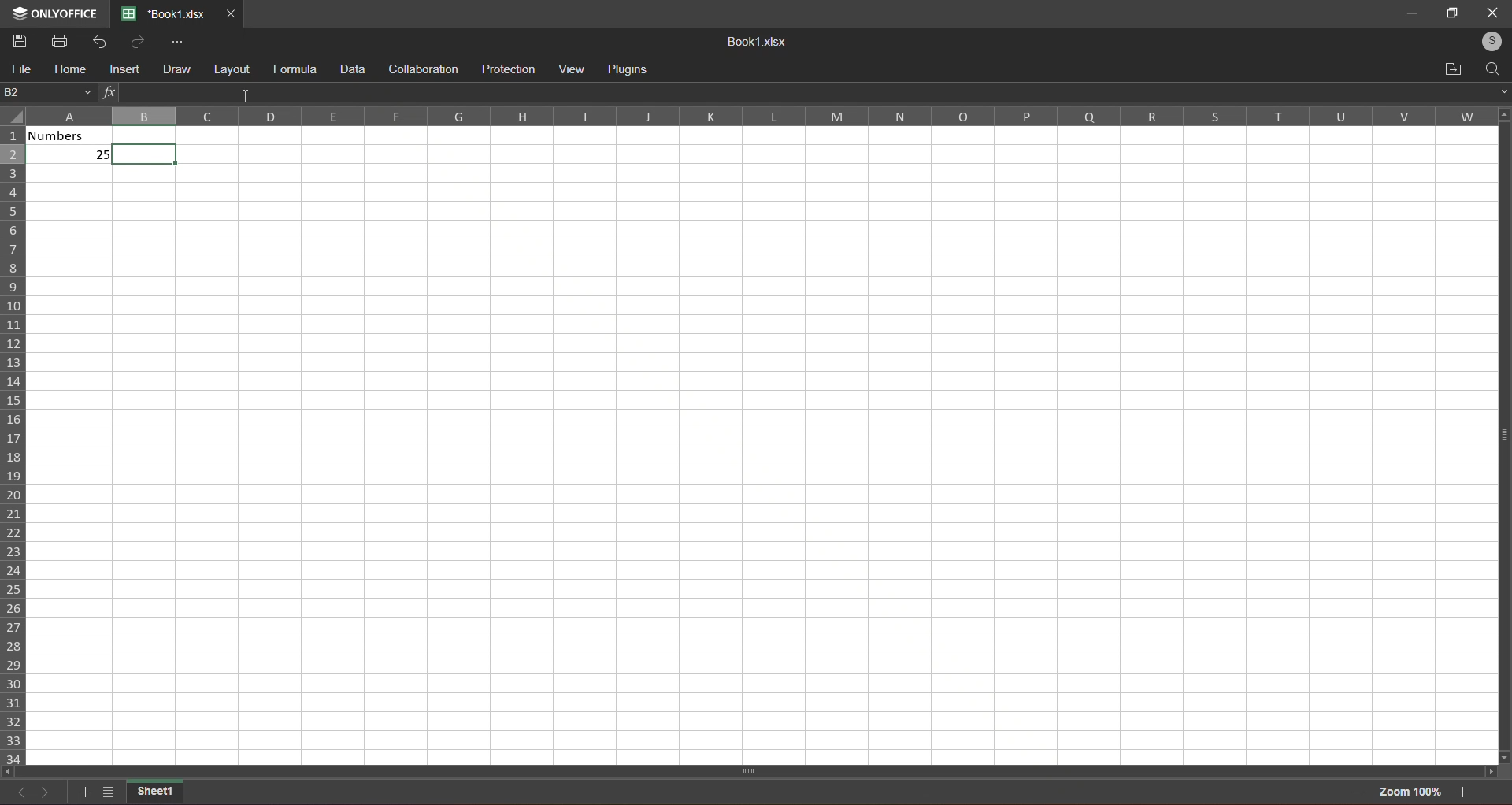 This screenshot has height=805, width=1512. I want to click on scroll right, so click(1496, 772).